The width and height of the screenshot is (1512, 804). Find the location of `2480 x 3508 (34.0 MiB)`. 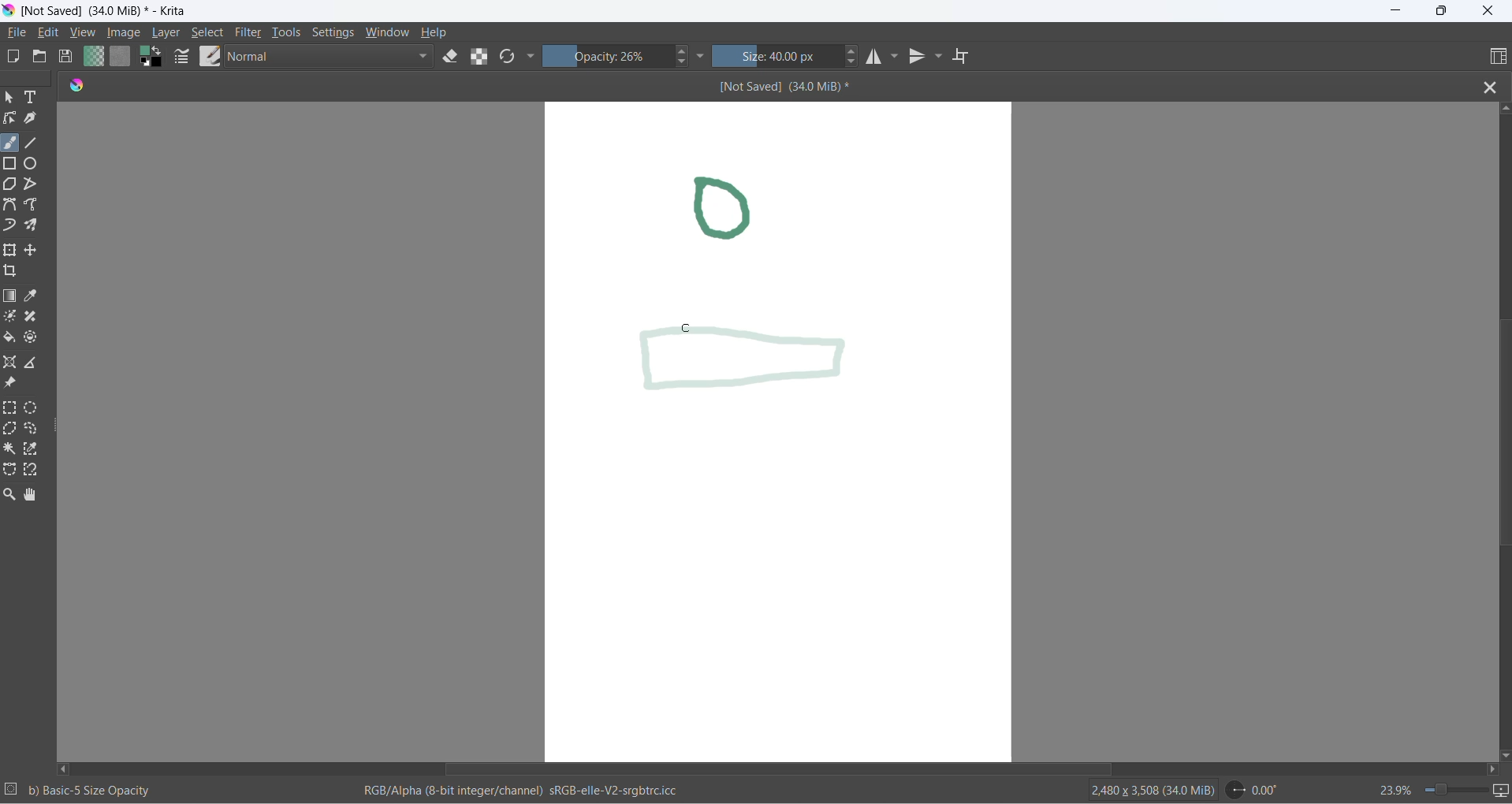

2480 x 3508 (34.0 MiB) is located at coordinates (1146, 791).